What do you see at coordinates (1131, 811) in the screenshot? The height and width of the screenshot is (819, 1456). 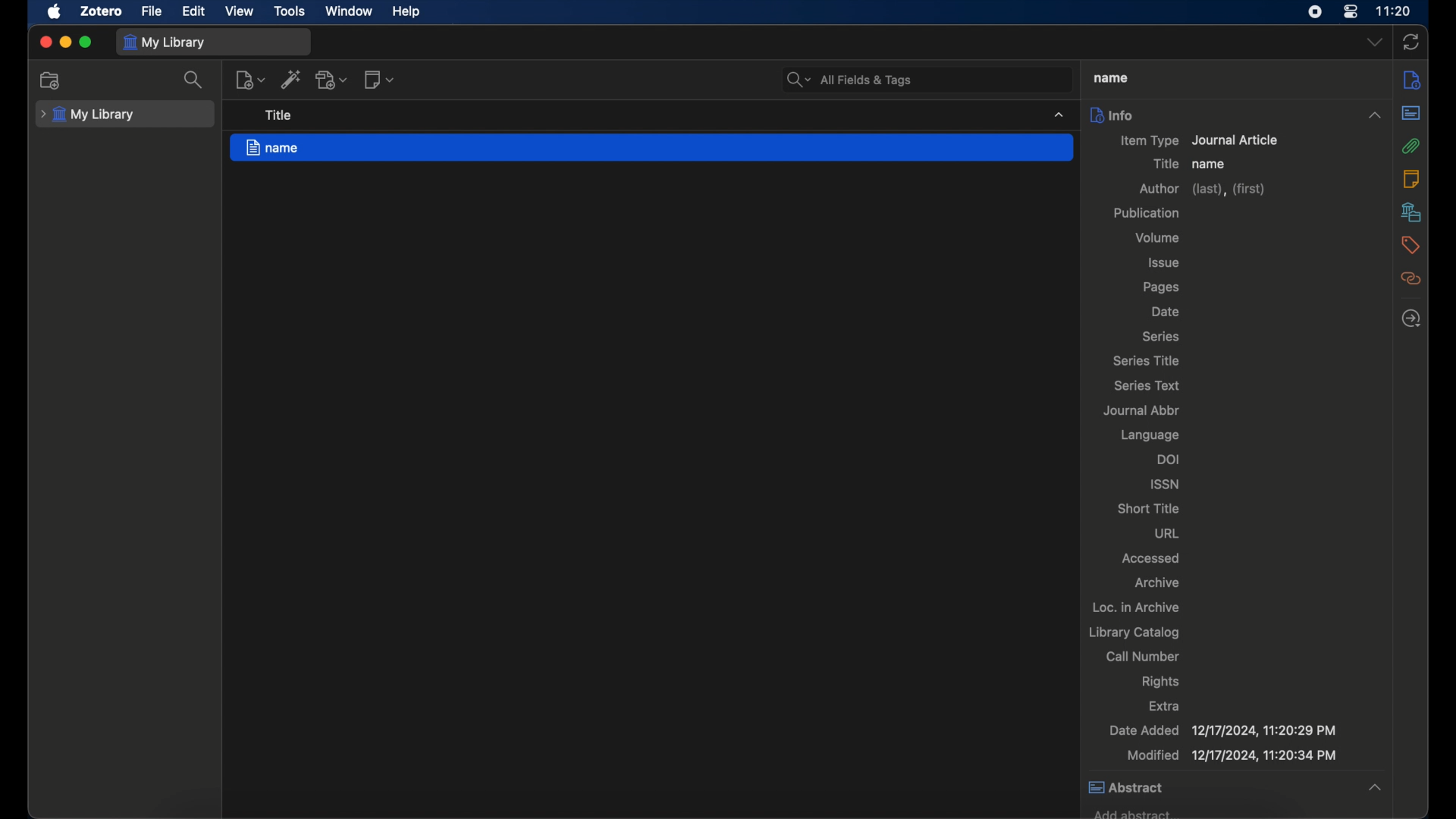 I see `add abstract` at bounding box center [1131, 811].